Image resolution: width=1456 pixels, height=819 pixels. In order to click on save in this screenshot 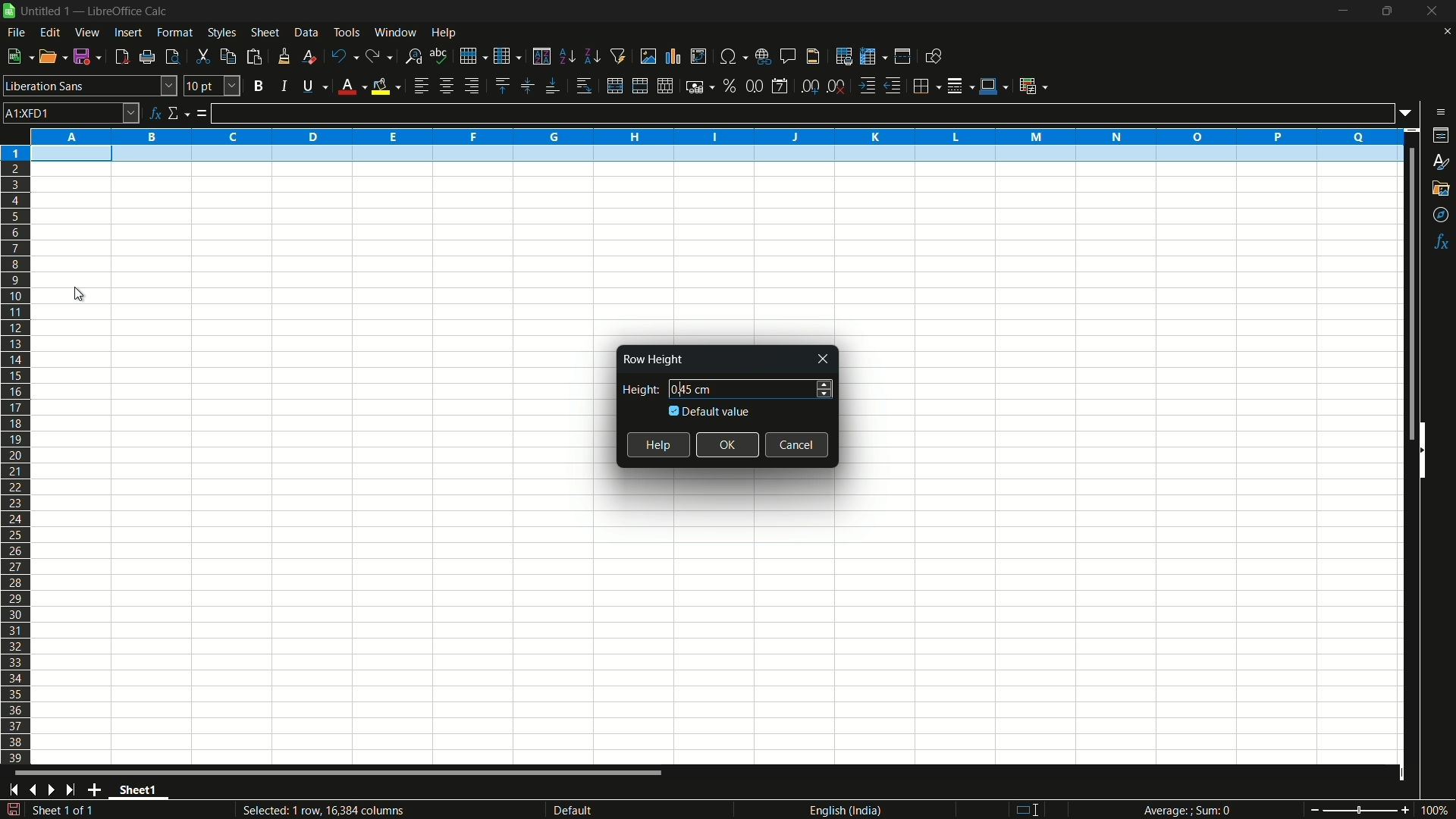, I will do `click(89, 57)`.